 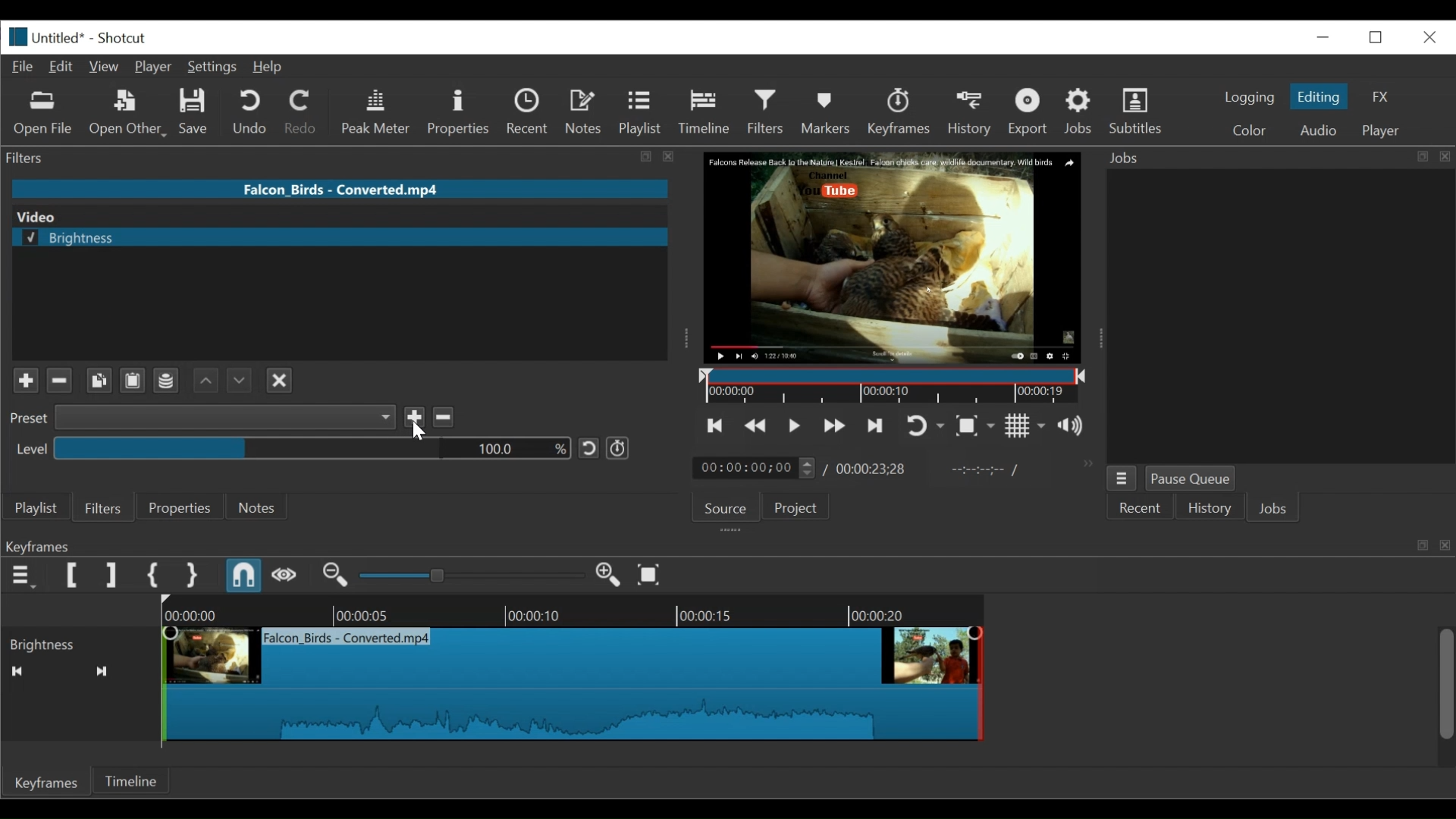 What do you see at coordinates (831, 426) in the screenshot?
I see `Play forward quickly` at bounding box center [831, 426].